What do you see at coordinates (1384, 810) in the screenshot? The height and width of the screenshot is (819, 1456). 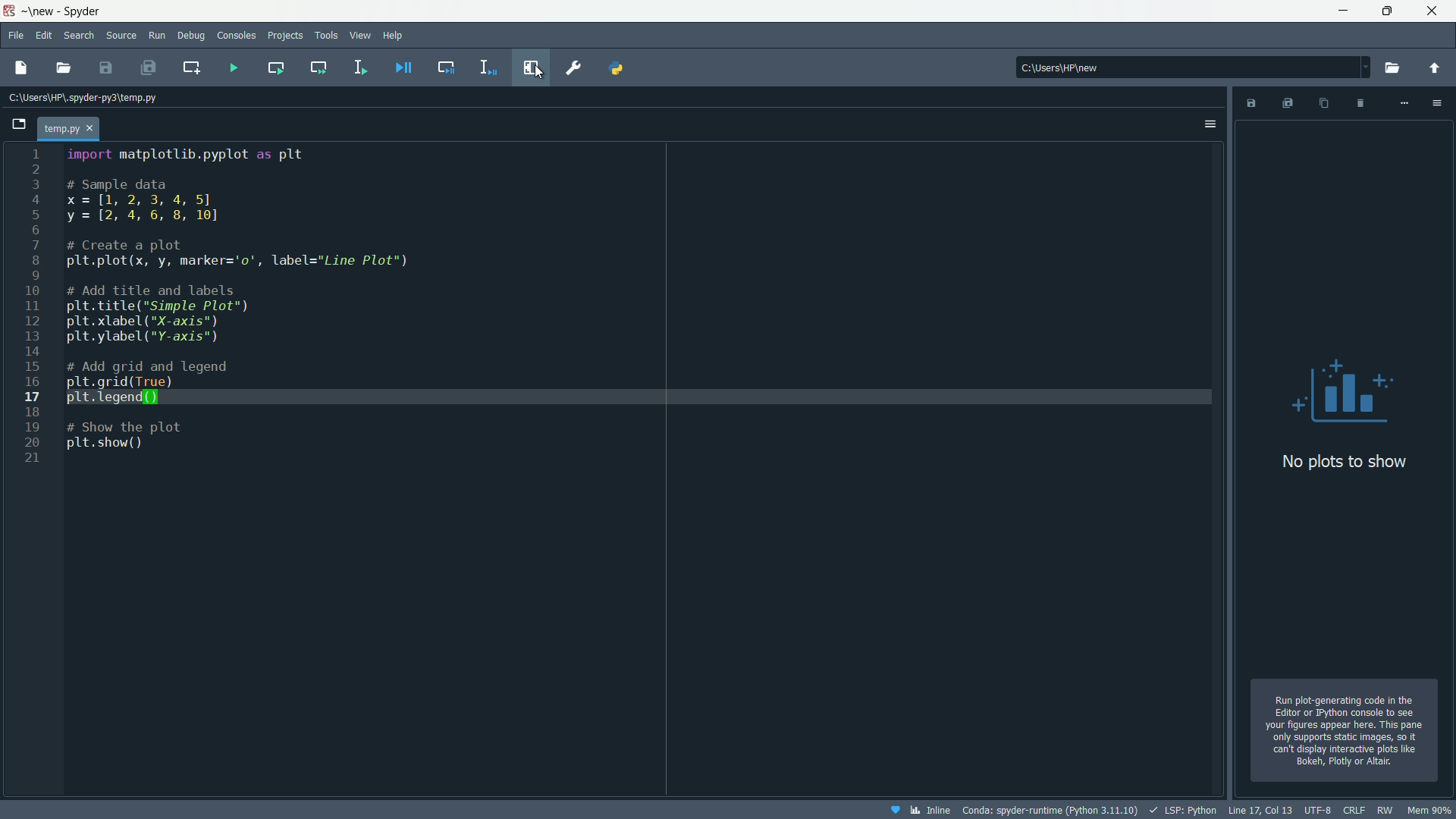 I see `rw` at bounding box center [1384, 810].